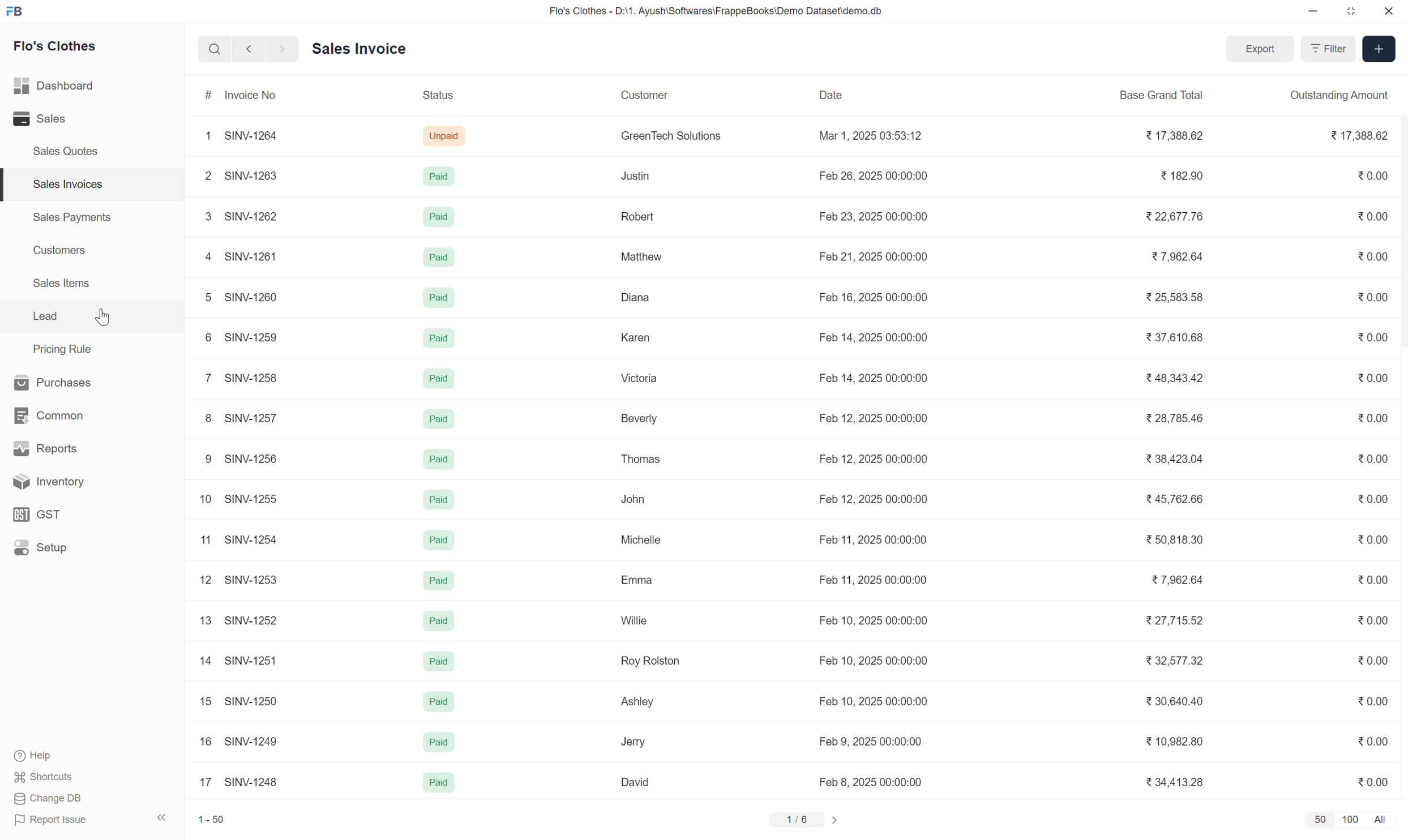 The width and height of the screenshot is (1408, 840). Describe the element at coordinates (259, 336) in the screenshot. I see `SINV-1259` at that location.